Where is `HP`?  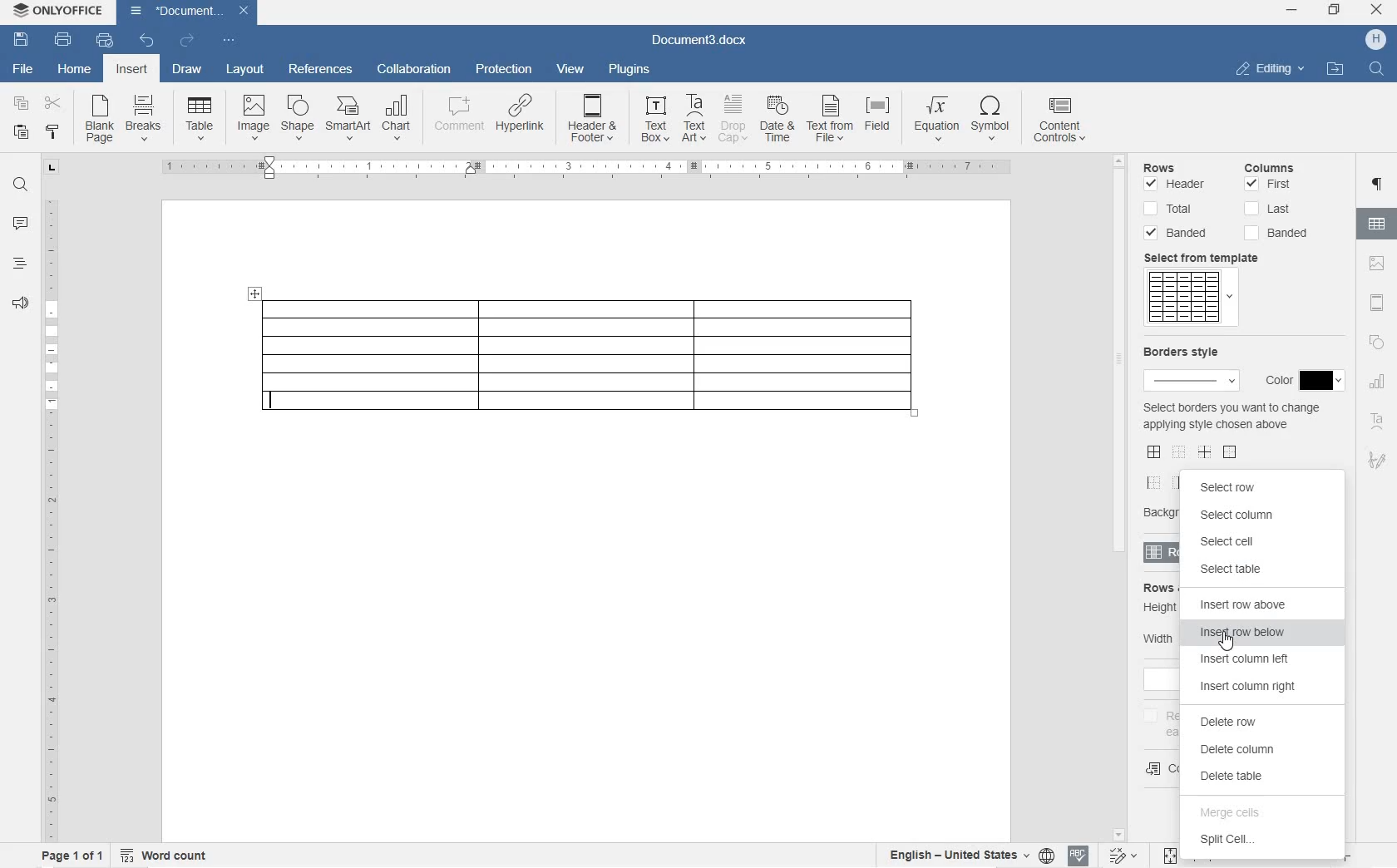 HP is located at coordinates (1377, 40).